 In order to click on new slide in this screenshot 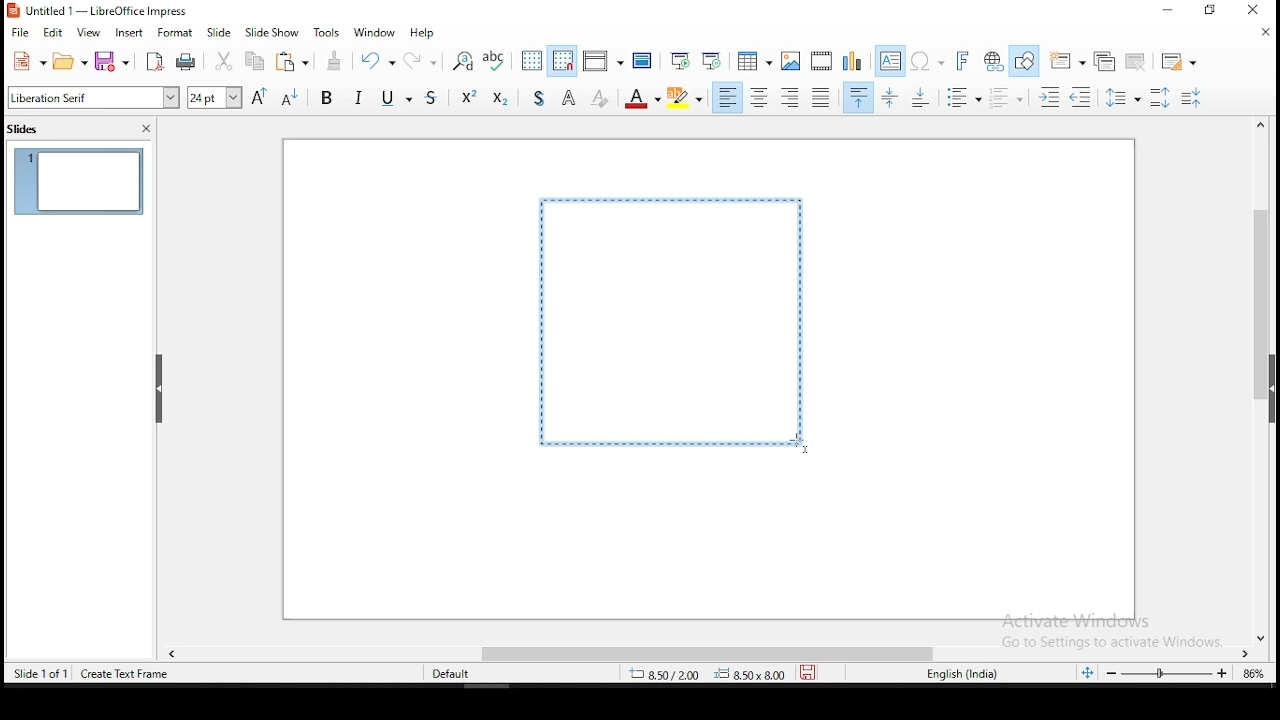, I will do `click(1066, 60)`.